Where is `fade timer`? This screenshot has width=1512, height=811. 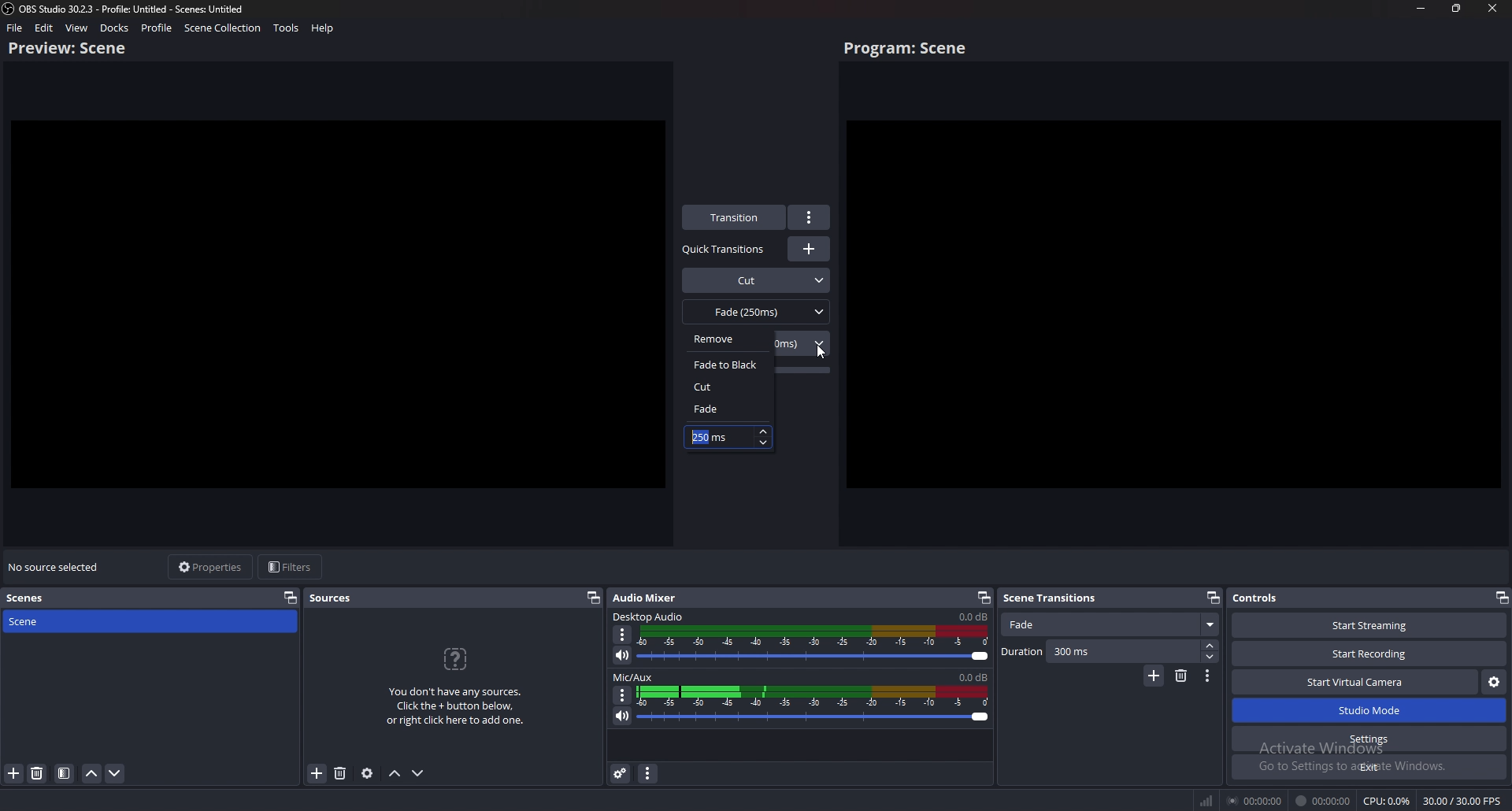 fade timer is located at coordinates (711, 437).